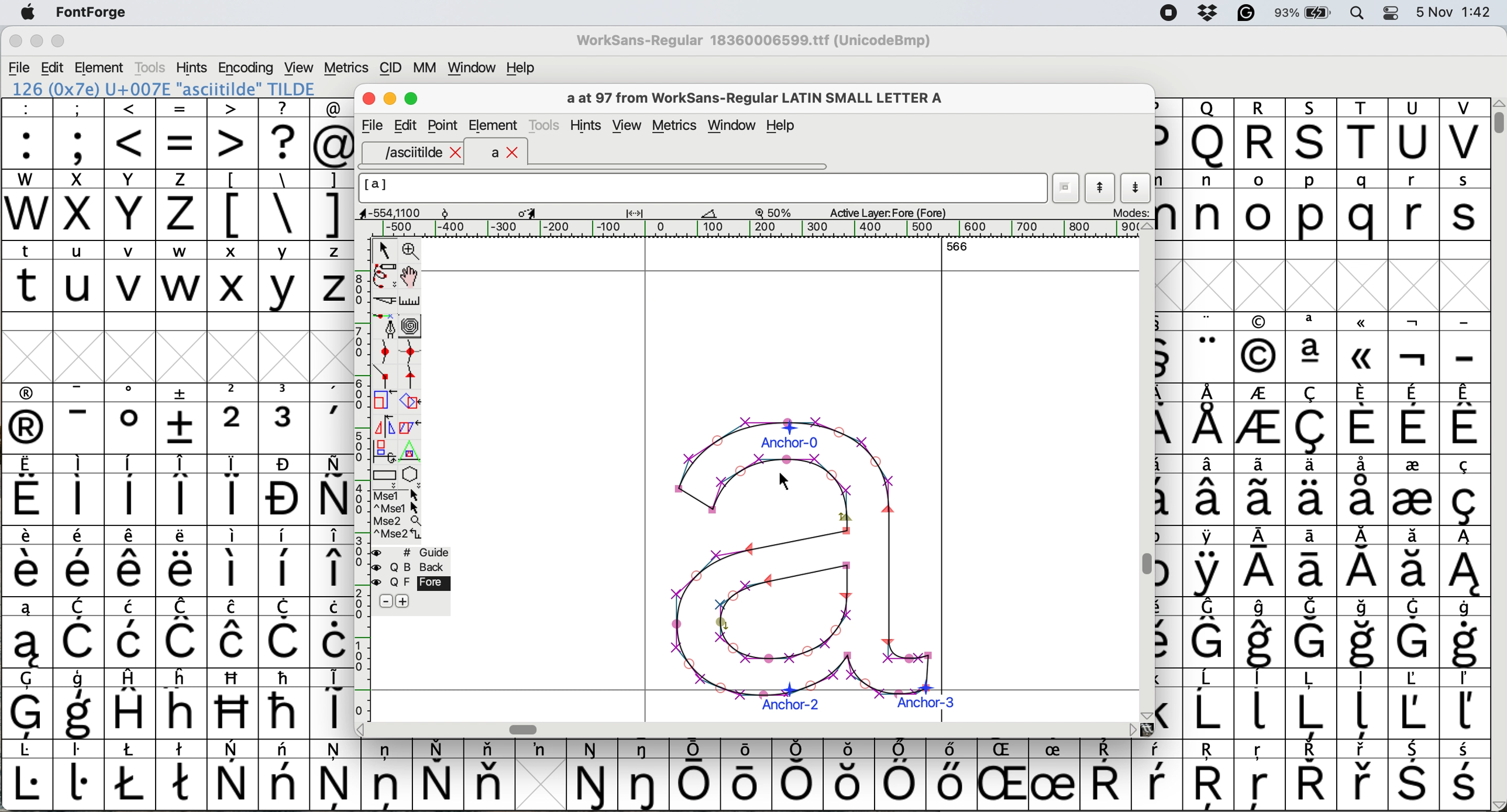 Image resolution: width=1507 pixels, height=812 pixels. I want to click on metrics, so click(679, 127).